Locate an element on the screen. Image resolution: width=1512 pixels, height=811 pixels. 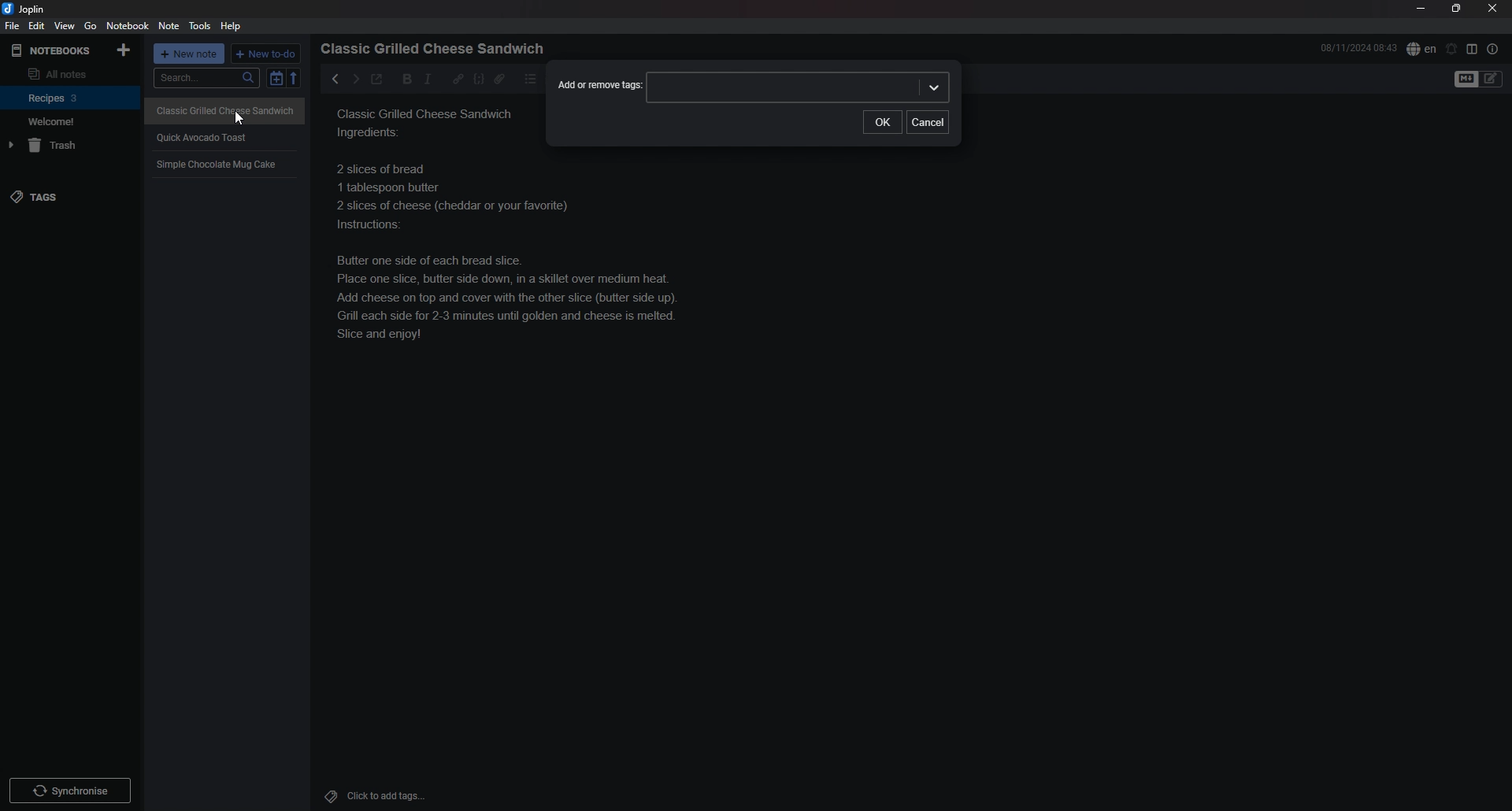
cursor is located at coordinates (239, 119).